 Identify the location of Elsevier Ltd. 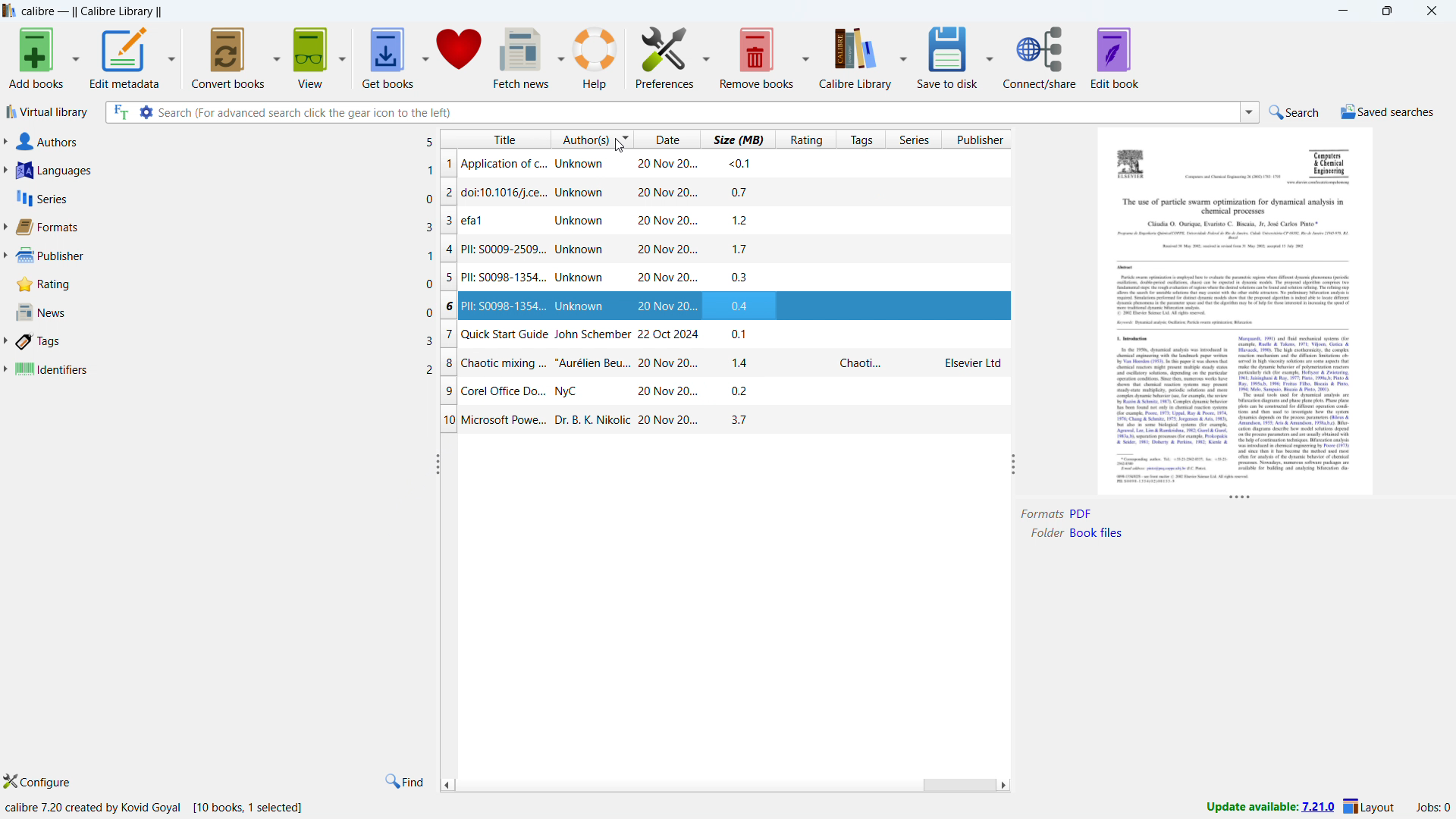
(972, 365).